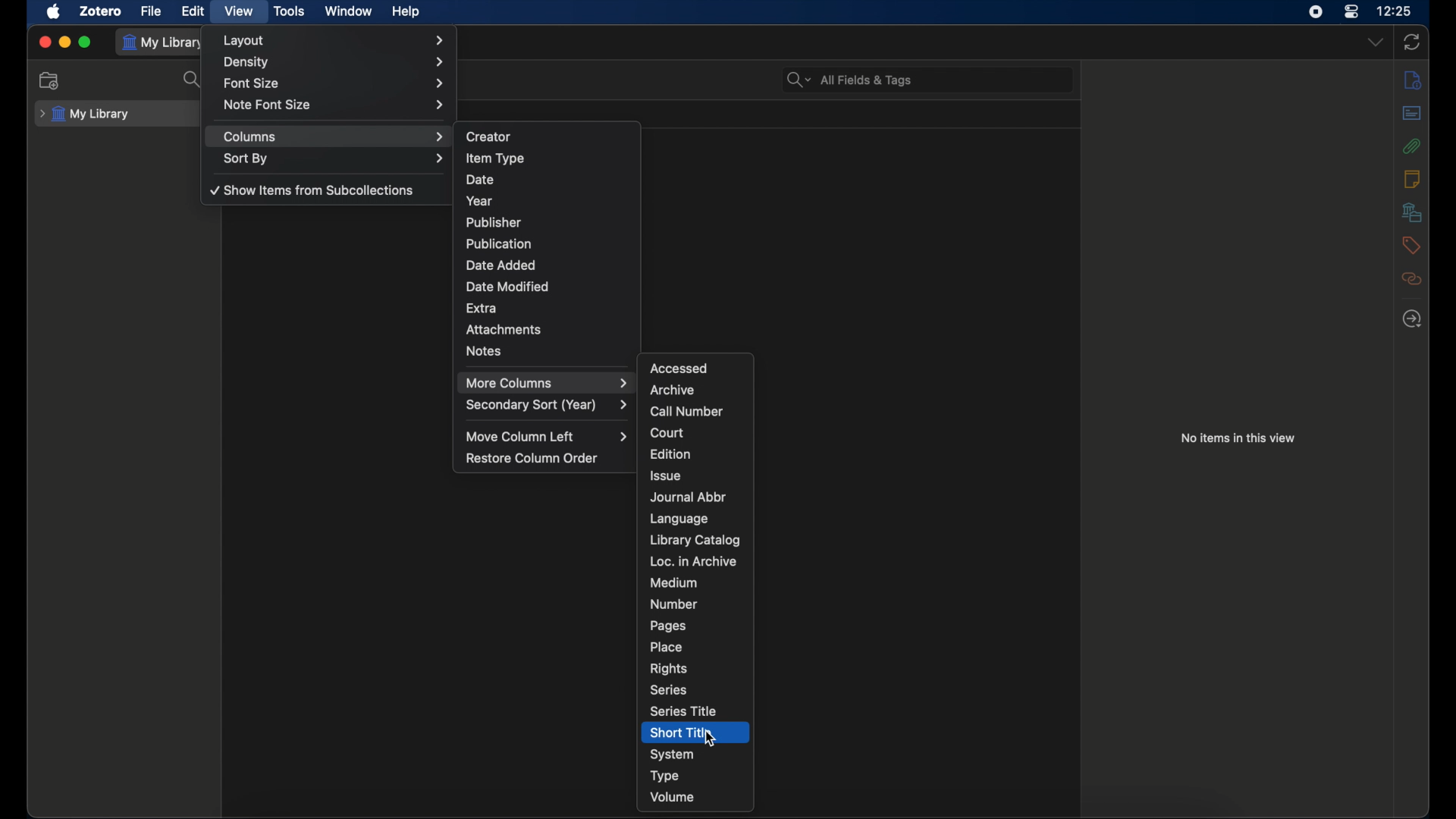 The image size is (1456, 819). Describe the element at coordinates (679, 519) in the screenshot. I see `language` at that location.